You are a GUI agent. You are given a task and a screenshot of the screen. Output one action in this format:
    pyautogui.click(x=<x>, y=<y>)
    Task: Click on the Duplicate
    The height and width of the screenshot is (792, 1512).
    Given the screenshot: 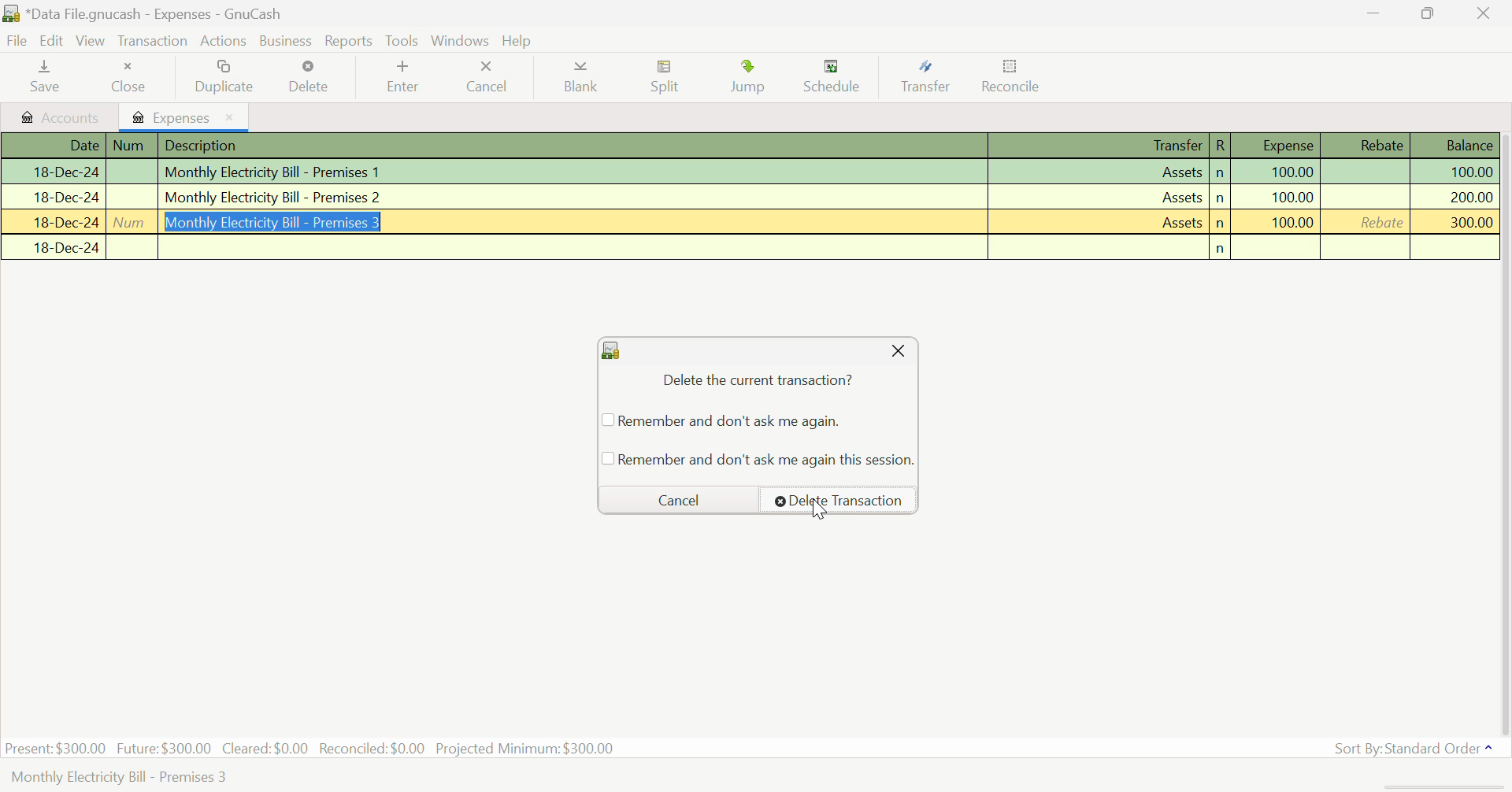 What is the action you would take?
    pyautogui.click(x=220, y=77)
    